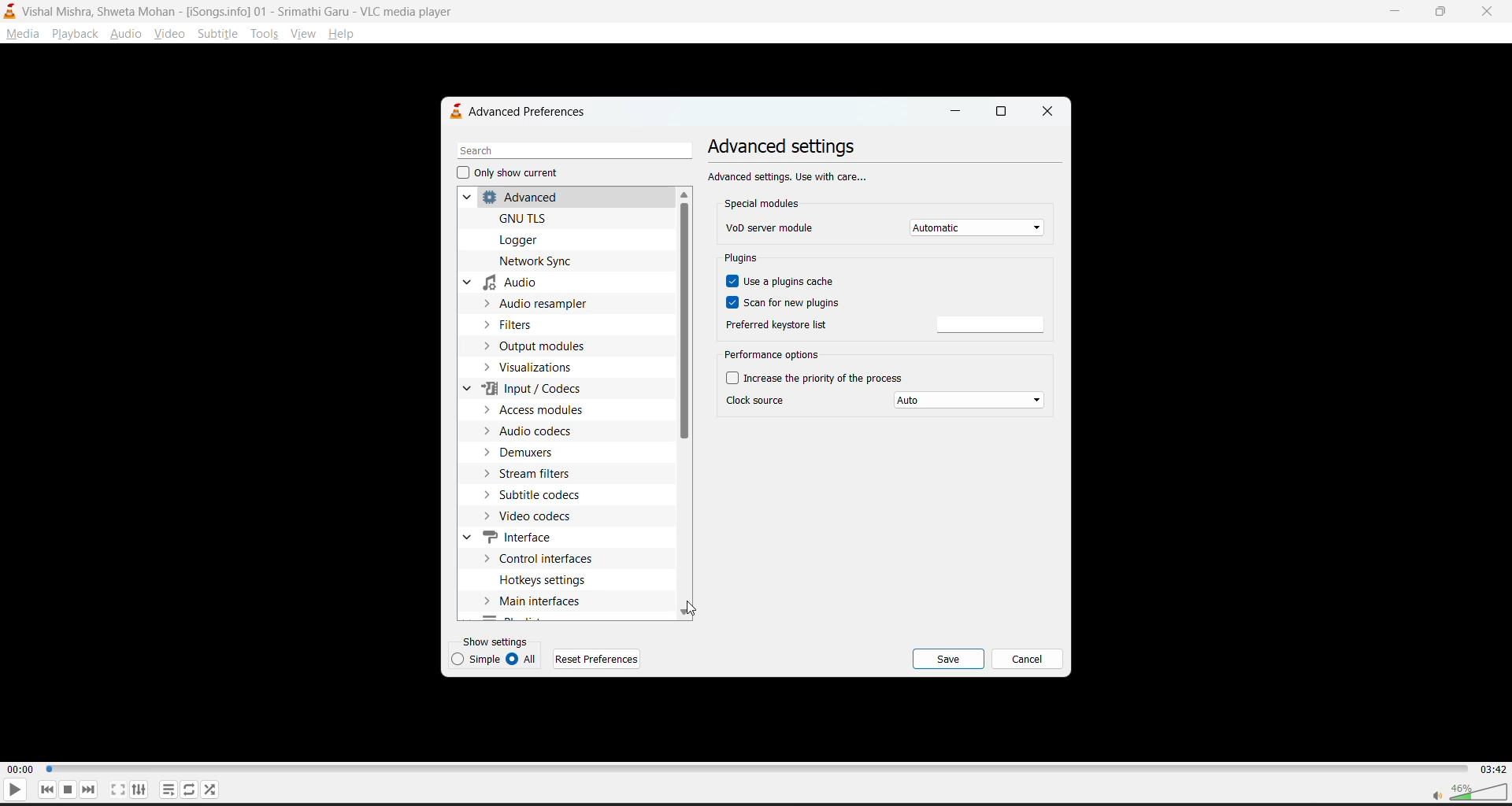 The image size is (1512, 806). Describe the element at coordinates (346, 34) in the screenshot. I see `help` at that location.